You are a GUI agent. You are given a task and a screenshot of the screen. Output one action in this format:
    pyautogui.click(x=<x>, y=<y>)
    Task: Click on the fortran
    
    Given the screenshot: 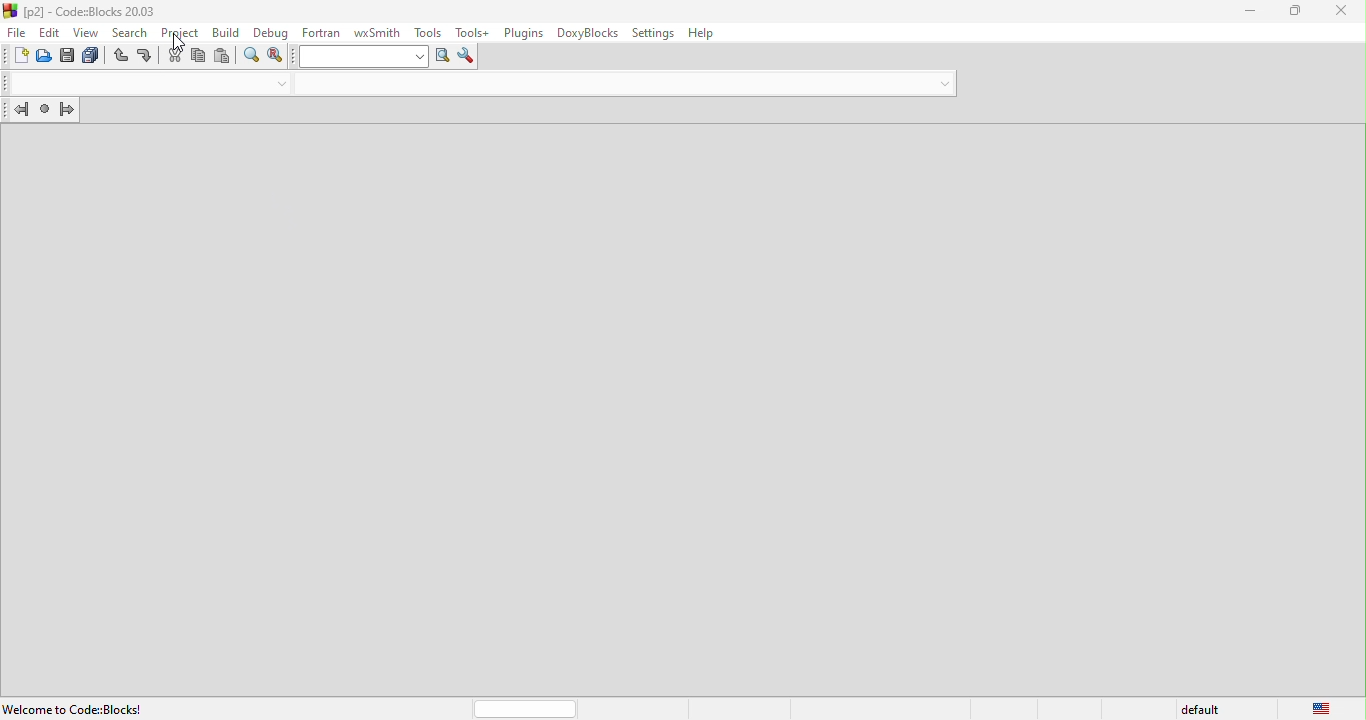 What is the action you would take?
    pyautogui.click(x=318, y=30)
    